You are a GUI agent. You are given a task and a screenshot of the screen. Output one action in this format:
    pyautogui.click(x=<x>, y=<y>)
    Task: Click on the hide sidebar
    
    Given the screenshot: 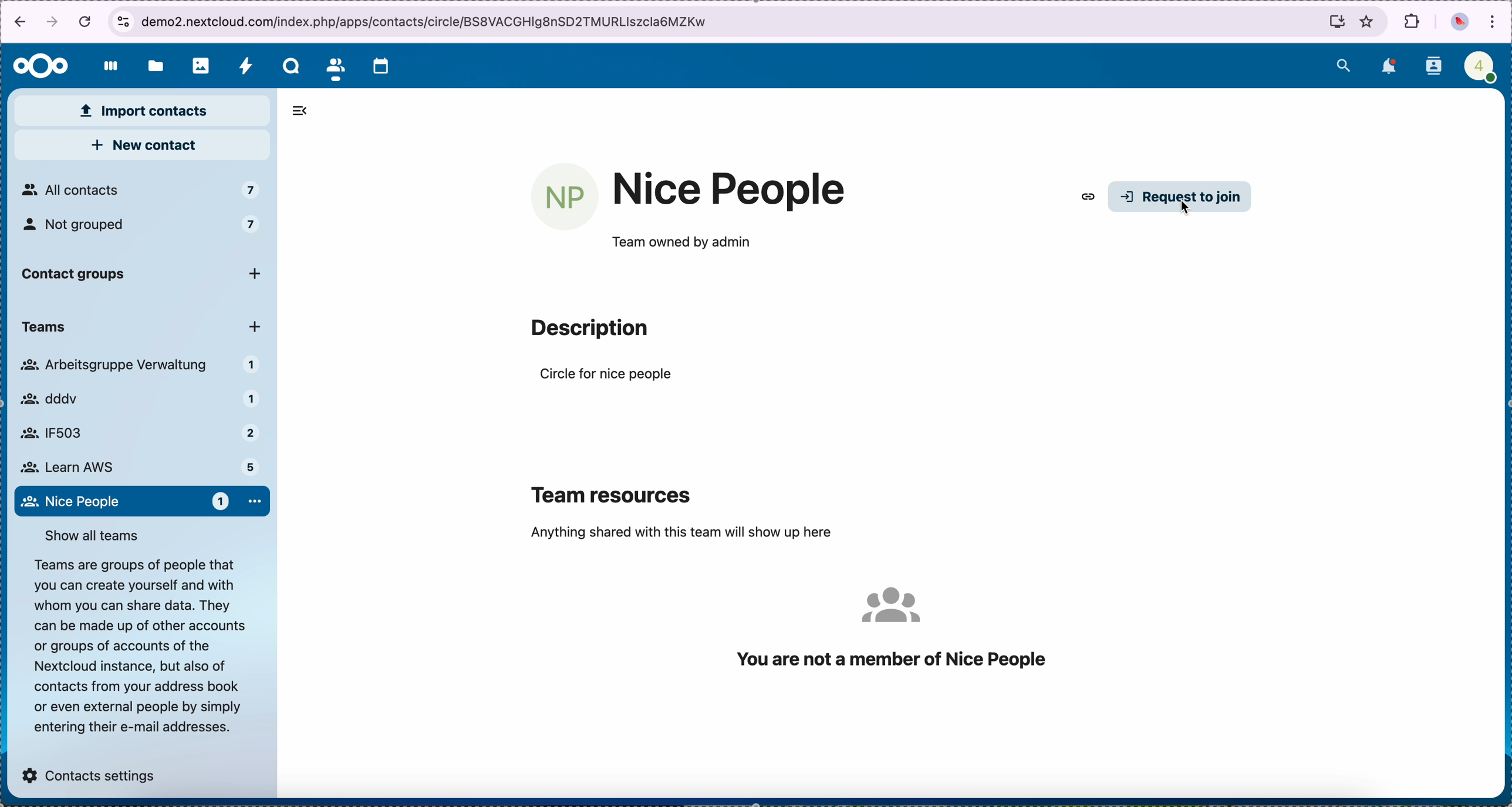 What is the action you would take?
    pyautogui.click(x=306, y=111)
    